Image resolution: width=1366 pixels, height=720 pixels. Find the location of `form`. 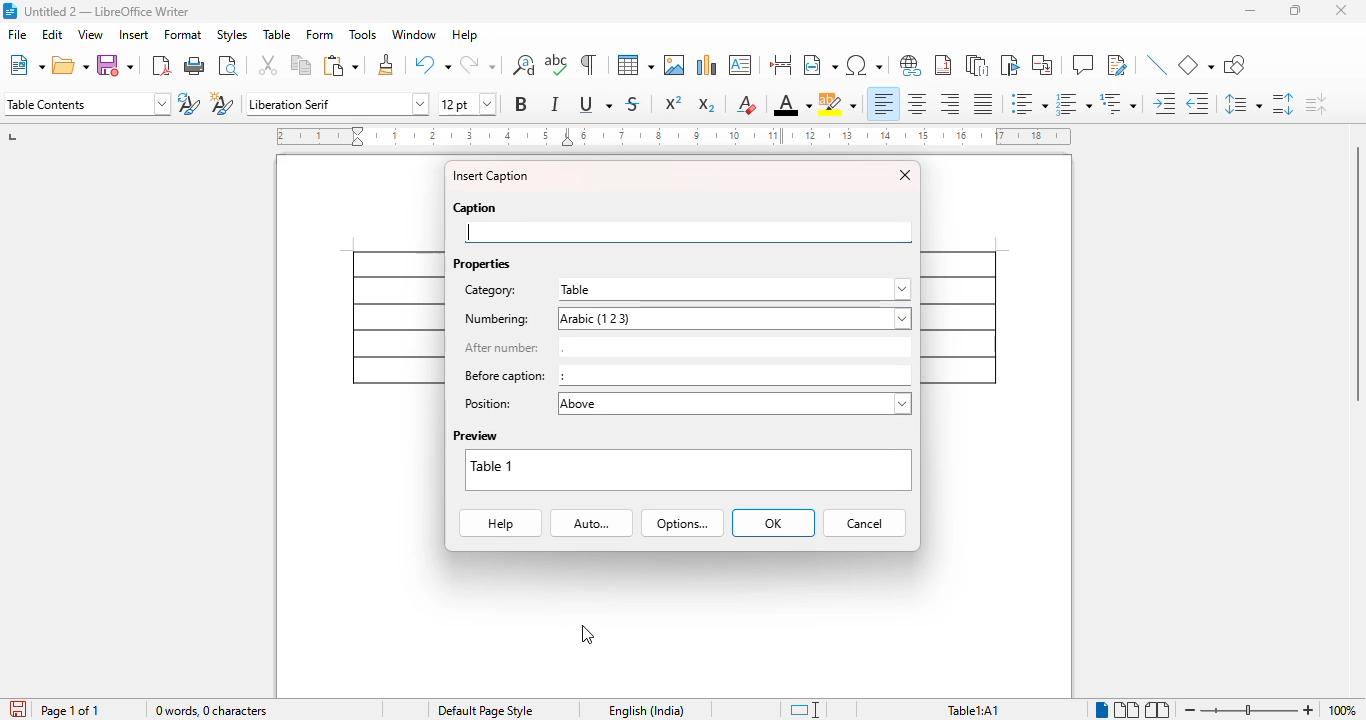

form is located at coordinates (319, 34).